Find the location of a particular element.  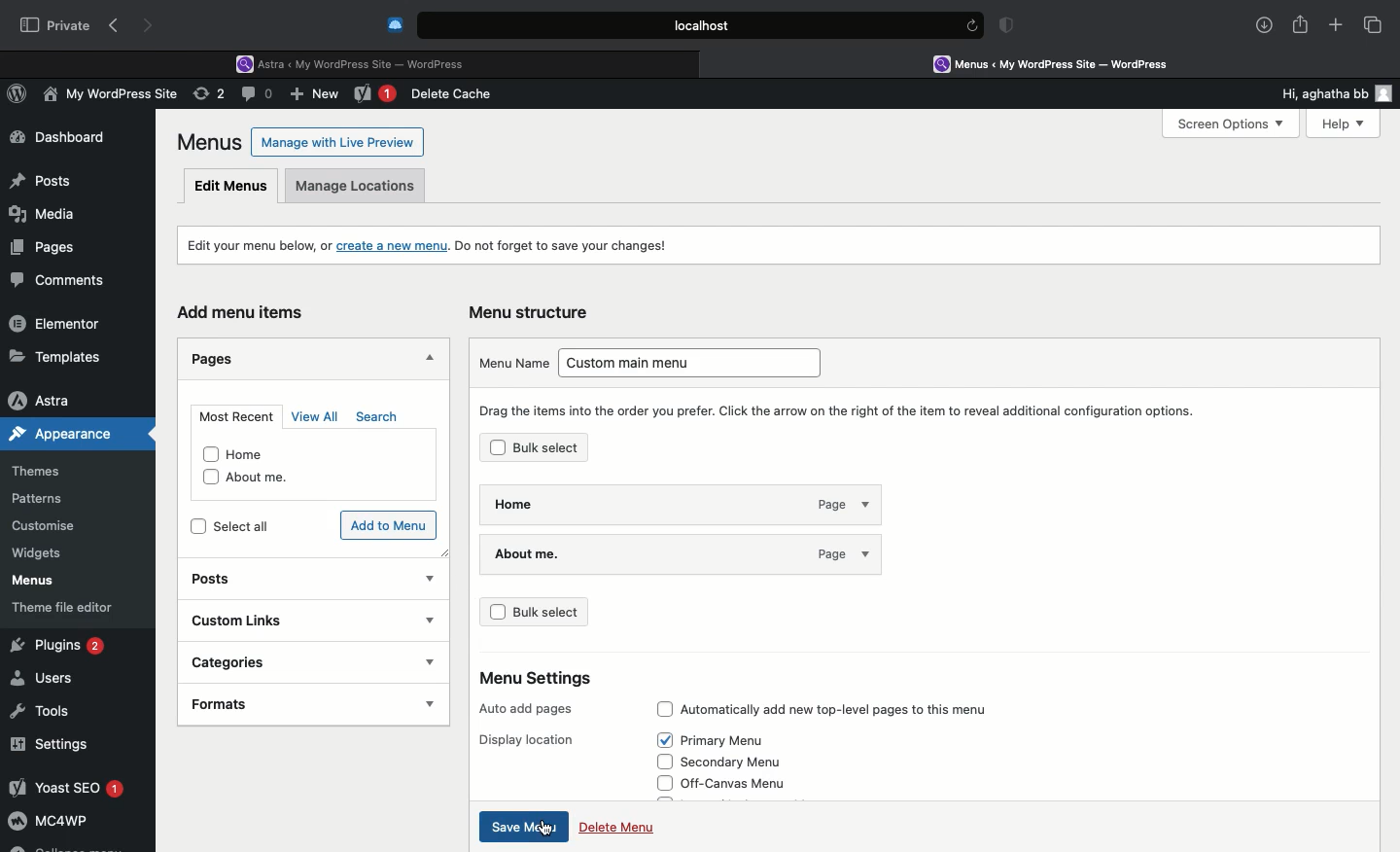

Bulk select is located at coordinates (567, 613).